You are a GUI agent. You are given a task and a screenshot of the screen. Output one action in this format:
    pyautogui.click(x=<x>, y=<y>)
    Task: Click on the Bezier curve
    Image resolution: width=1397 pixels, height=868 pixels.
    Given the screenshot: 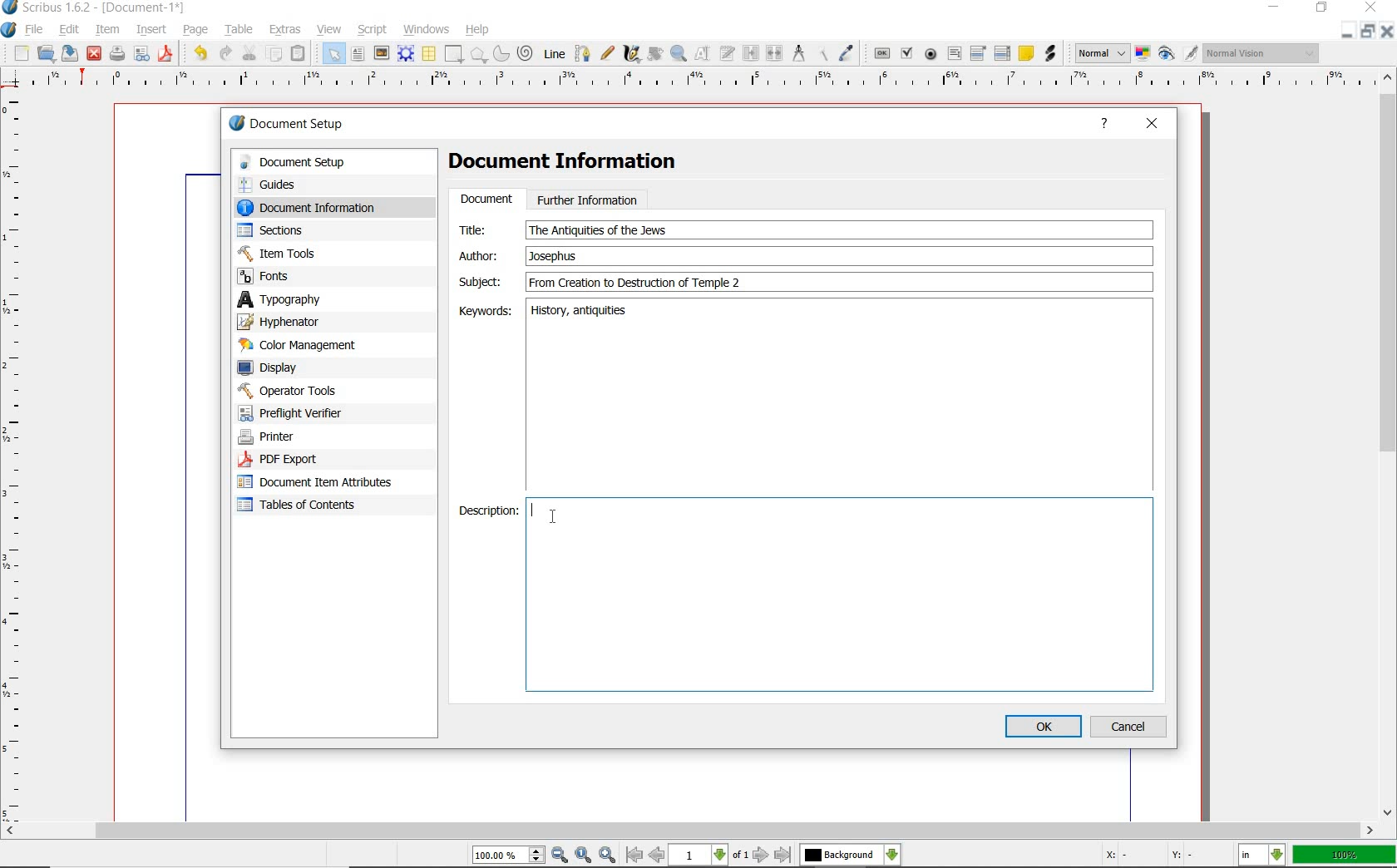 What is the action you would take?
    pyautogui.click(x=582, y=53)
    